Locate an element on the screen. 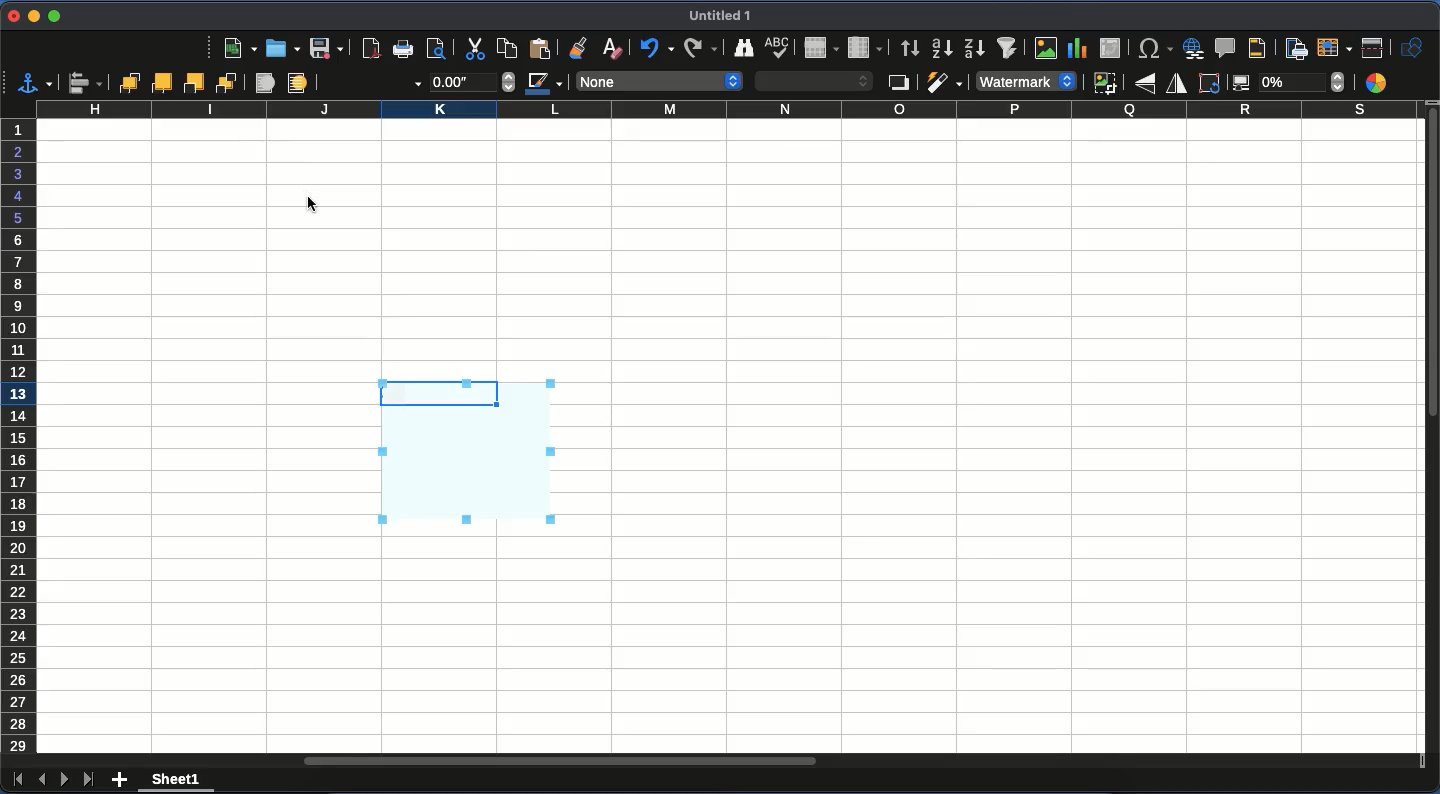 The width and height of the screenshot is (1440, 794). split window is located at coordinates (1372, 49).